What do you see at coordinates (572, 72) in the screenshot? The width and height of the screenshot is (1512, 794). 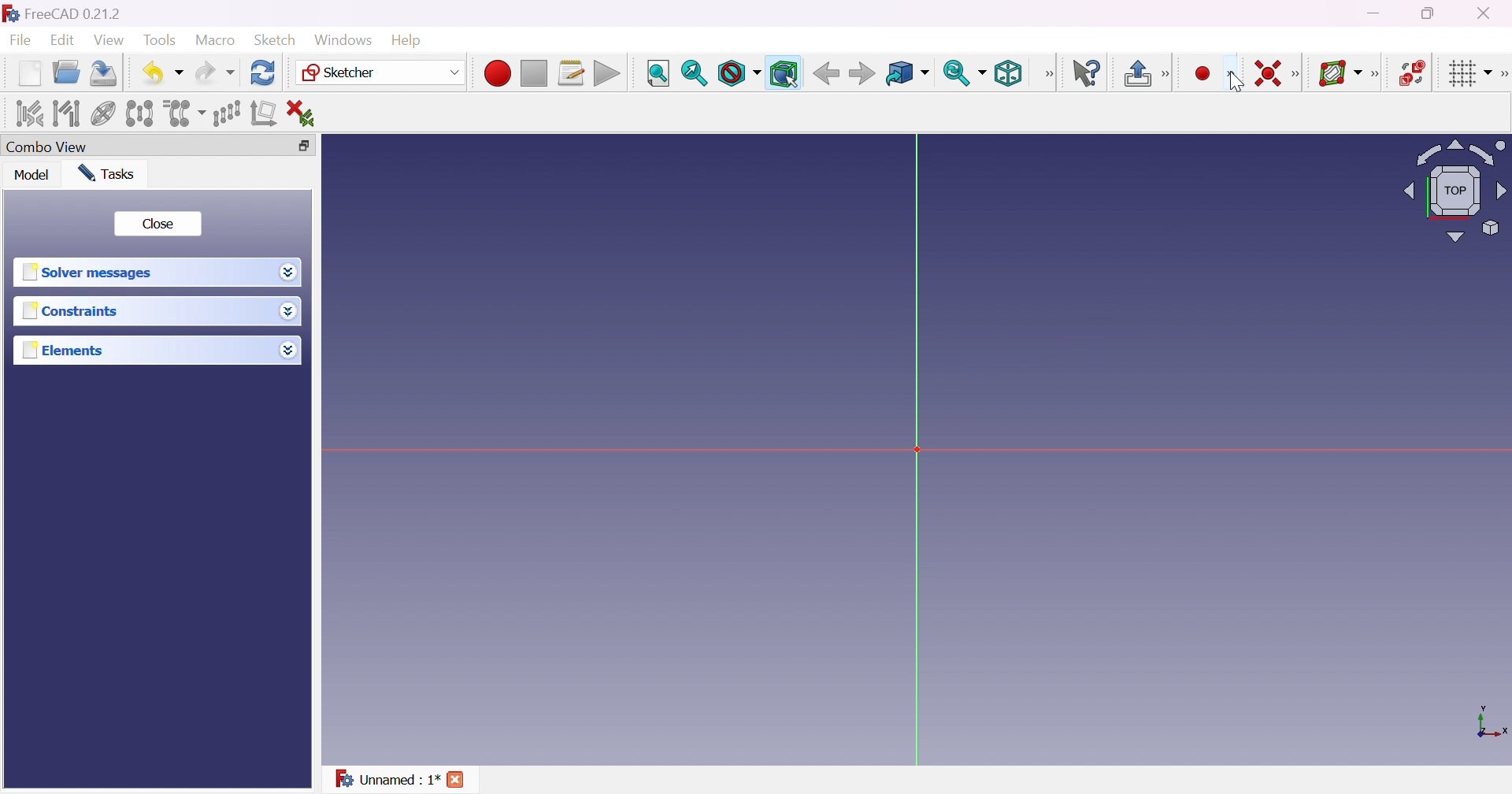 I see `Macros...` at bounding box center [572, 72].